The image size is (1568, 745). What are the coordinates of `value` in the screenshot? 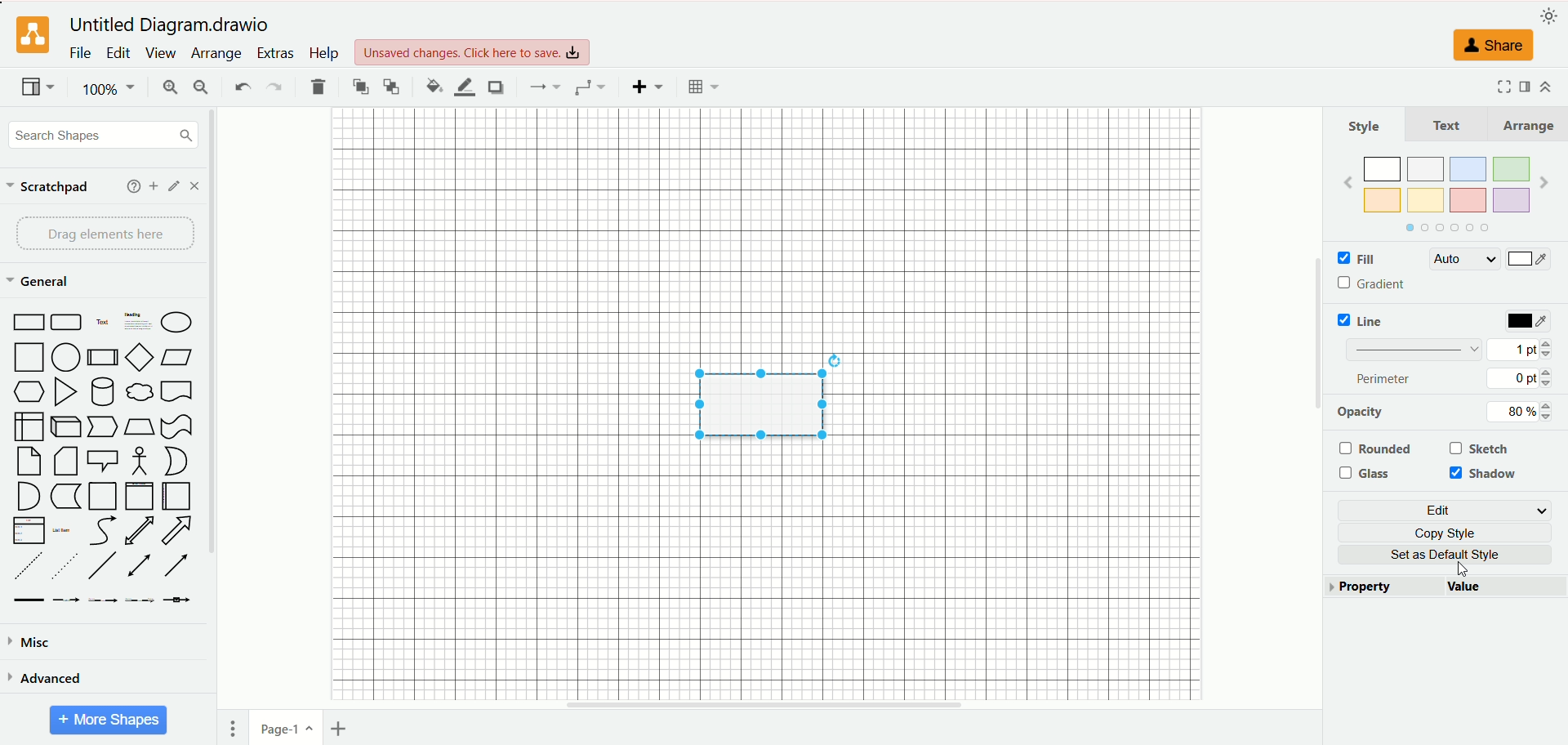 It's located at (1506, 588).